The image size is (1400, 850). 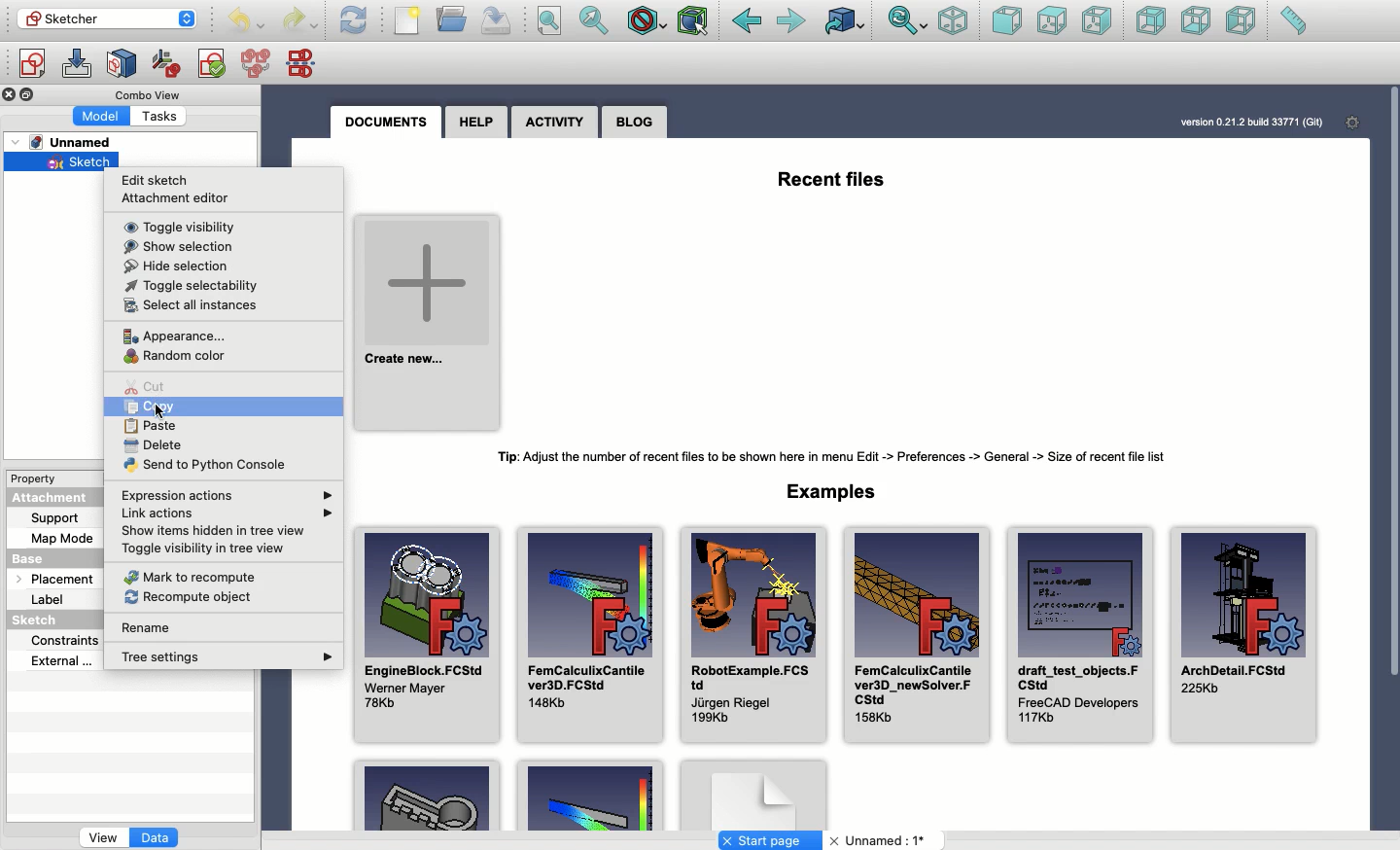 What do you see at coordinates (51, 600) in the screenshot?
I see `Label` at bounding box center [51, 600].